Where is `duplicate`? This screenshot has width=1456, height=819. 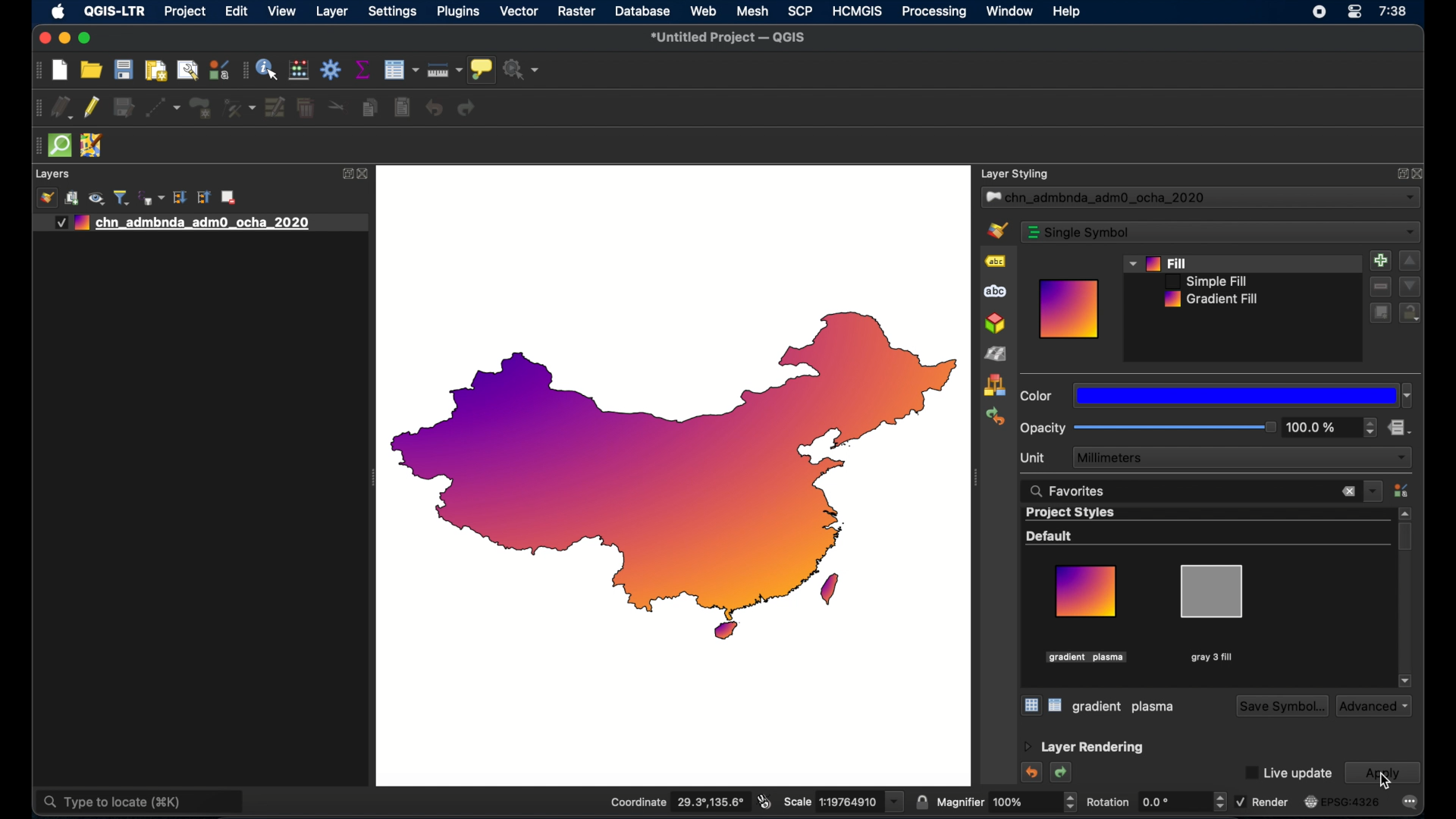
duplicate is located at coordinates (1380, 315).